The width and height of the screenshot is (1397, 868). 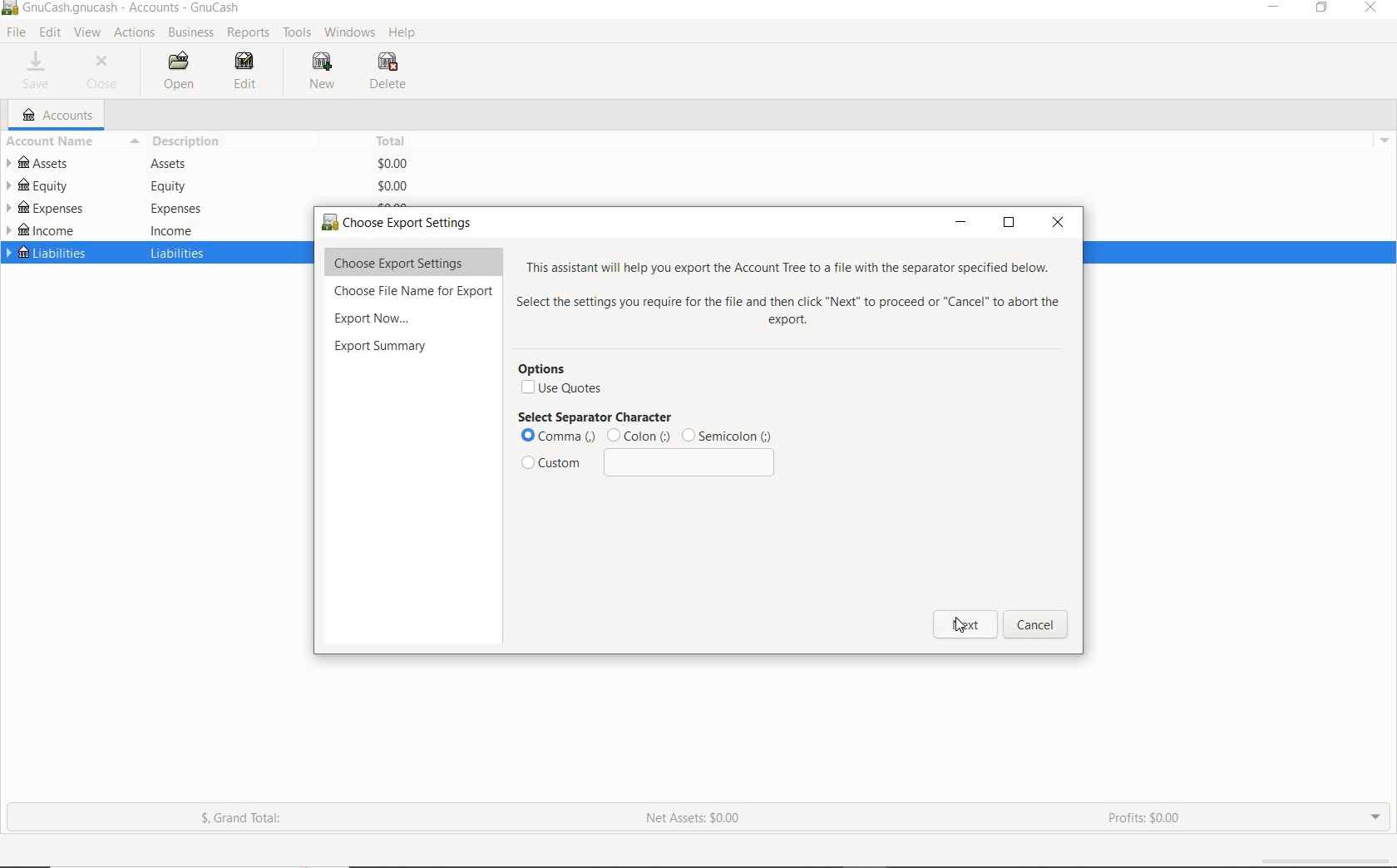 What do you see at coordinates (240, 819) in the screenshot?
I see `GRAND TOTAL` at bounding box center [240, 819].